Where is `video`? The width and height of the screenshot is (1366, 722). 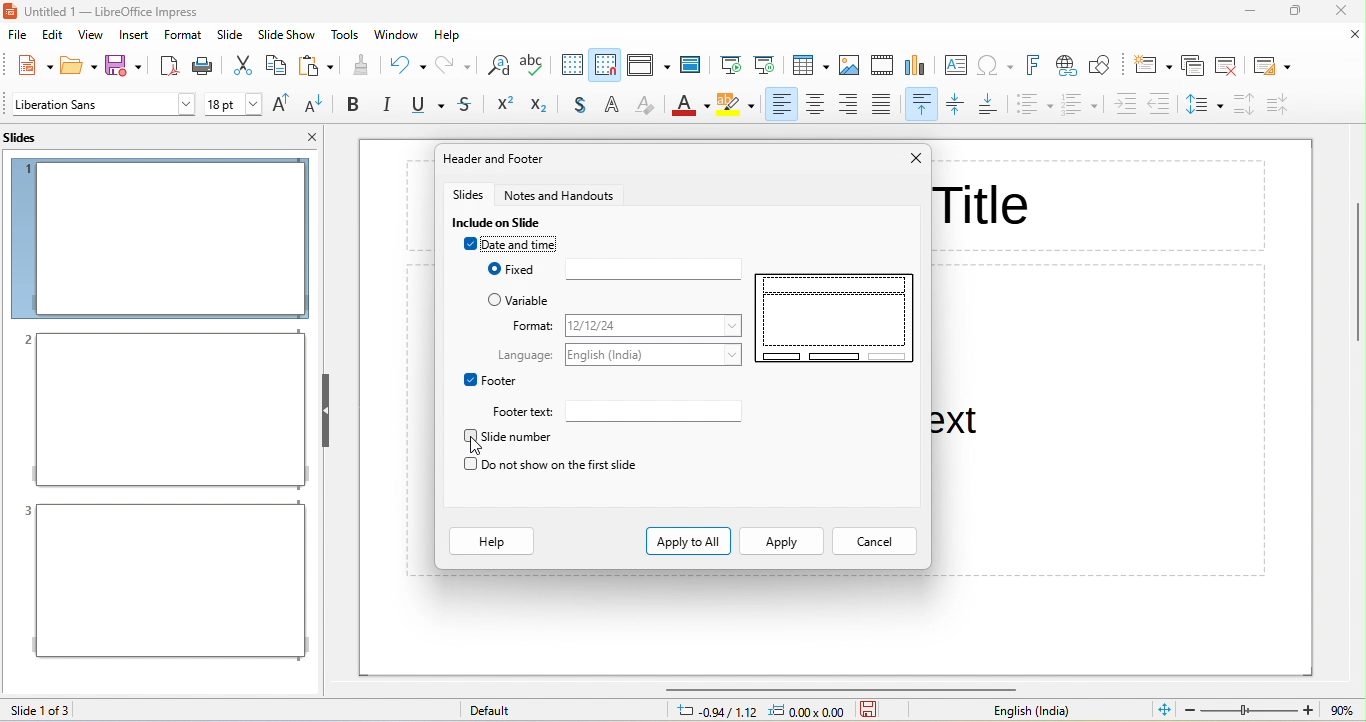
video is located at coordinates (882, 64).